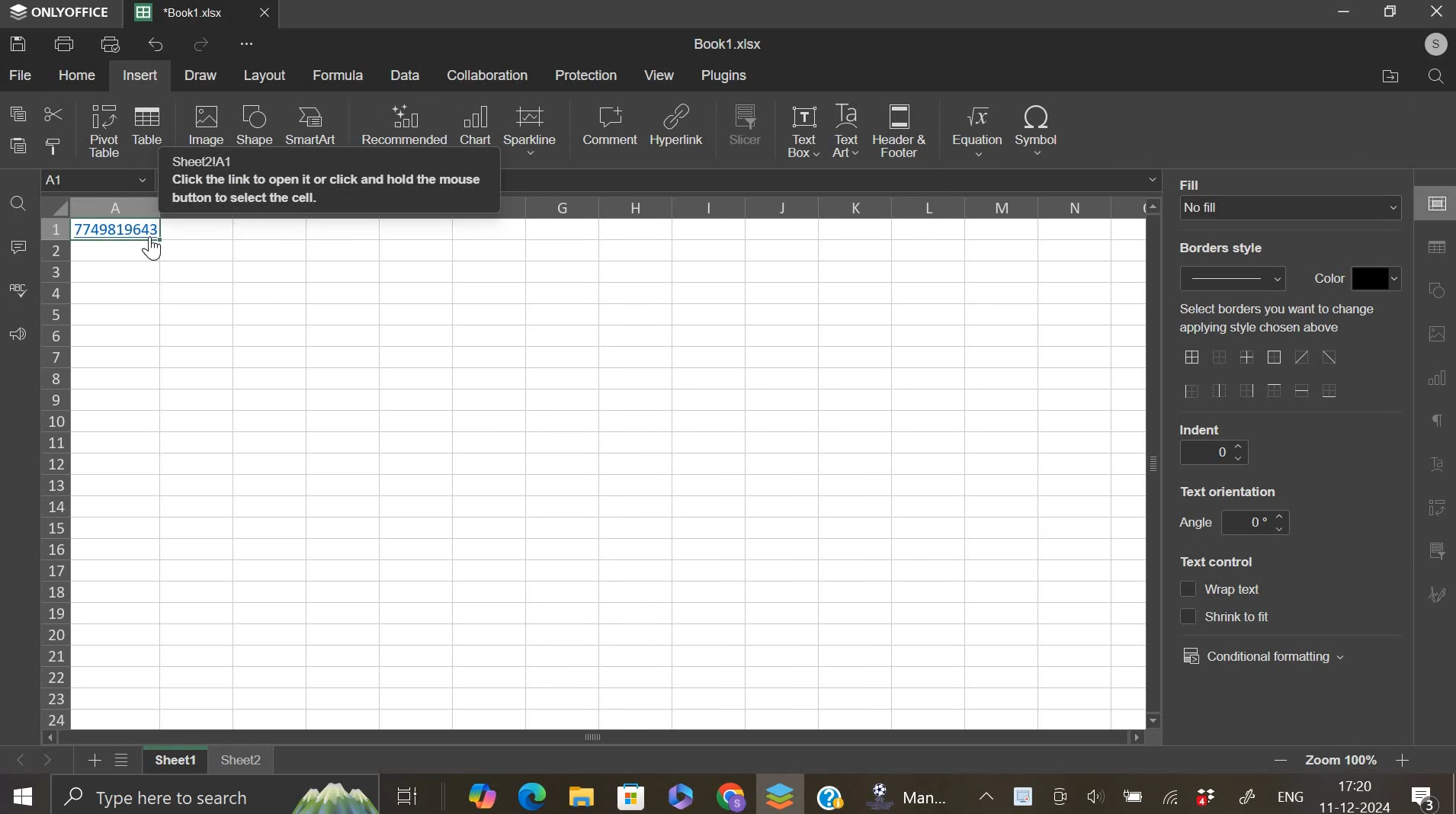 This screenshot has width=1456, height=814. I want to click on text, so click(1276, 318).